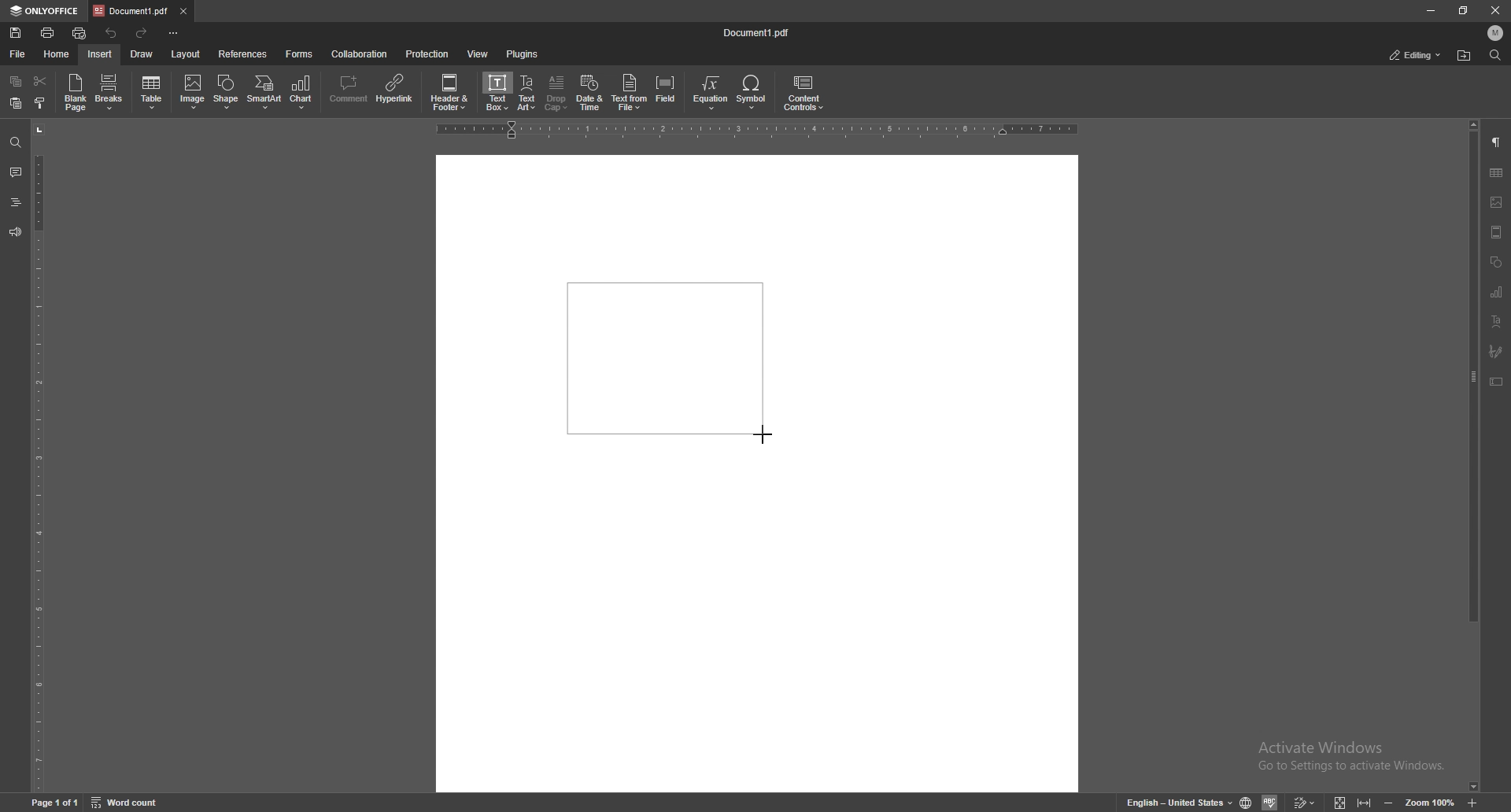  What do you see at coordinates (193, 91) in the screenshot?
I see `image` at bounding box center [193, 91].